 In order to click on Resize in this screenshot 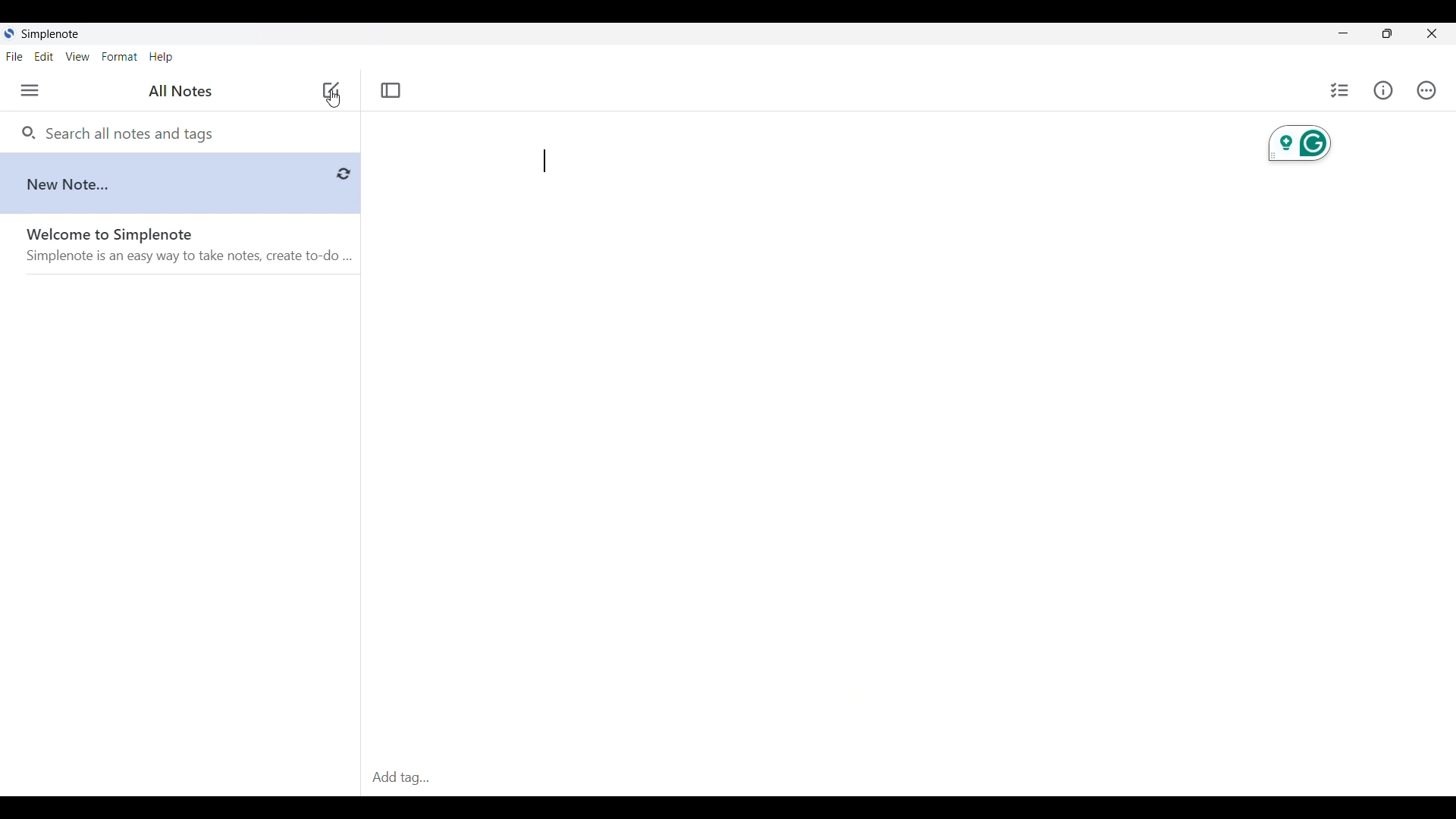, I will do `click(1387, 33)`.